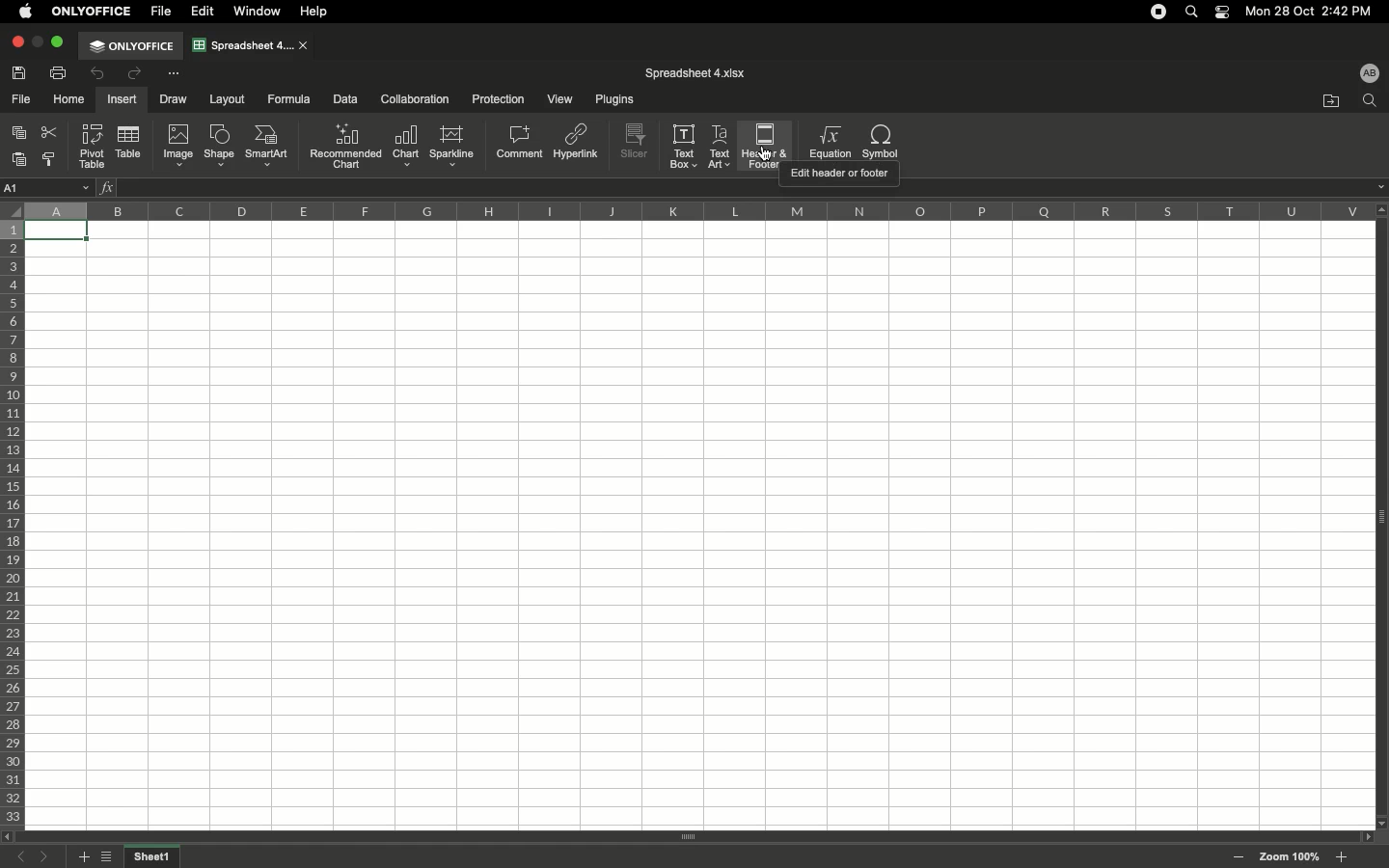  Describe the element at coordinates (14, 524) in the screenshot. I see `Row` at that location.